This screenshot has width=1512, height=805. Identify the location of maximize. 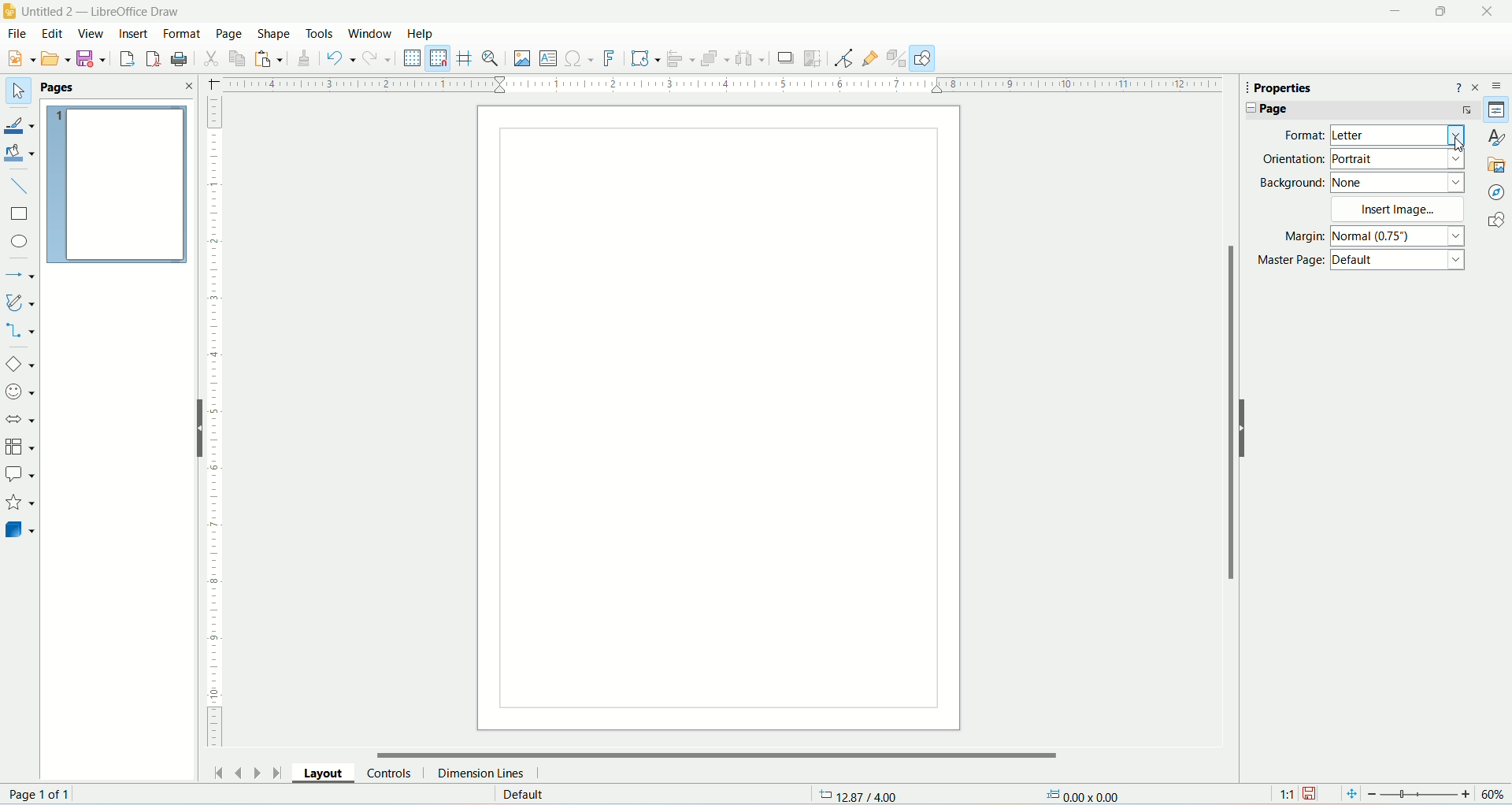
(1440, 15).